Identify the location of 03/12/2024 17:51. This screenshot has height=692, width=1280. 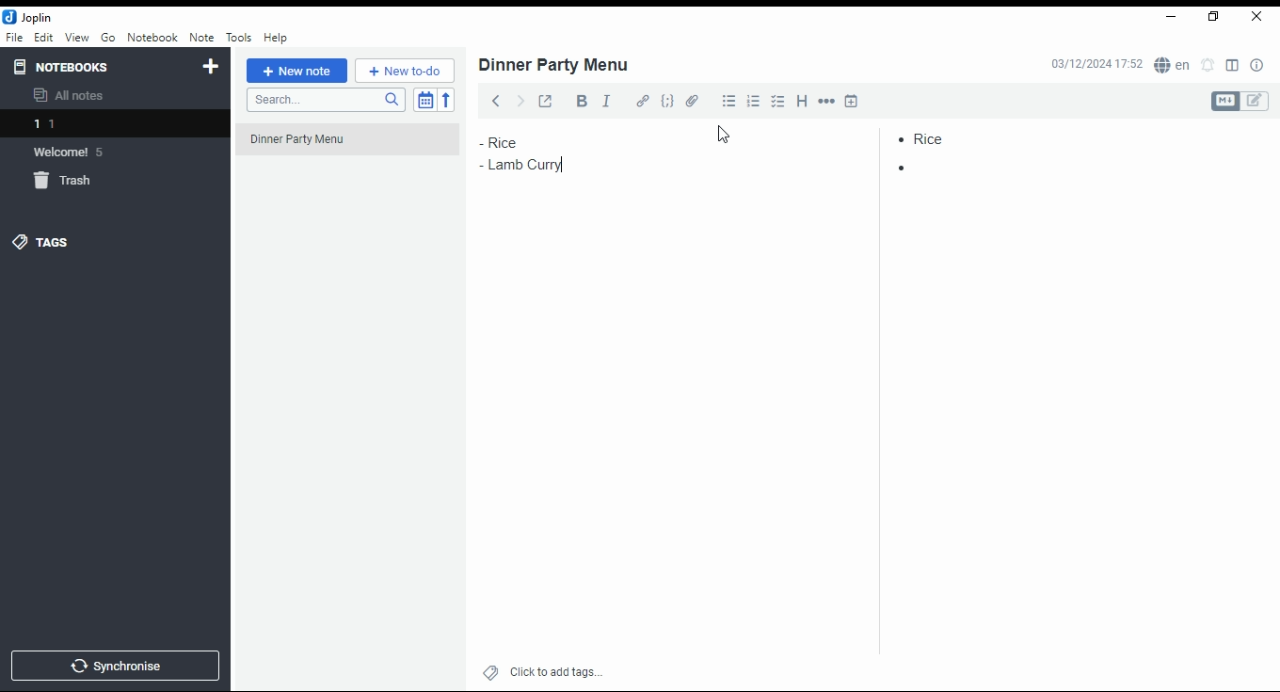
(1094, 65).